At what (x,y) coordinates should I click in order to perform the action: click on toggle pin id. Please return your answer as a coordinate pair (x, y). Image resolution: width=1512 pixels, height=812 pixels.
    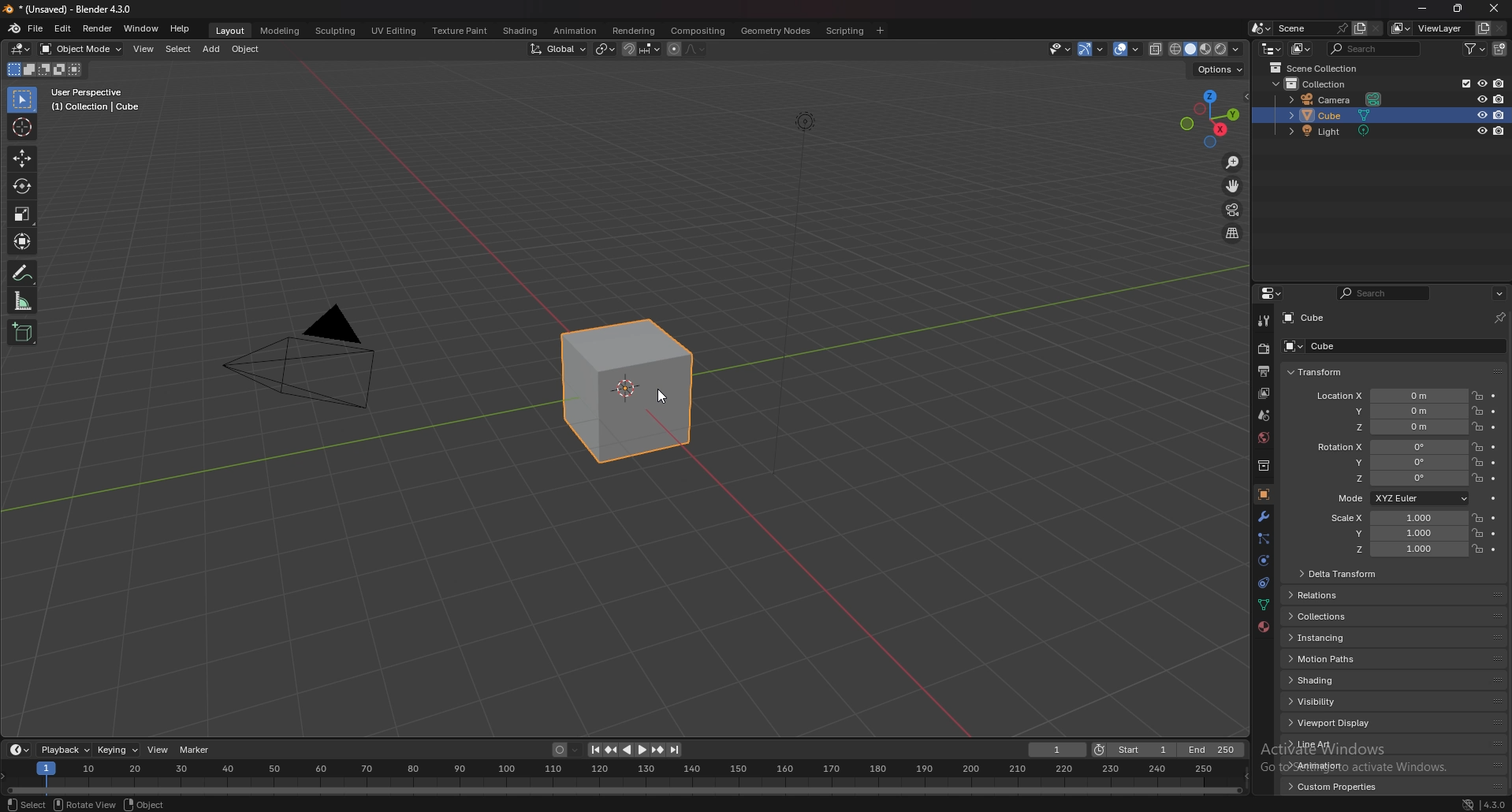
    Looking at the image, I should click on (1499, 317).